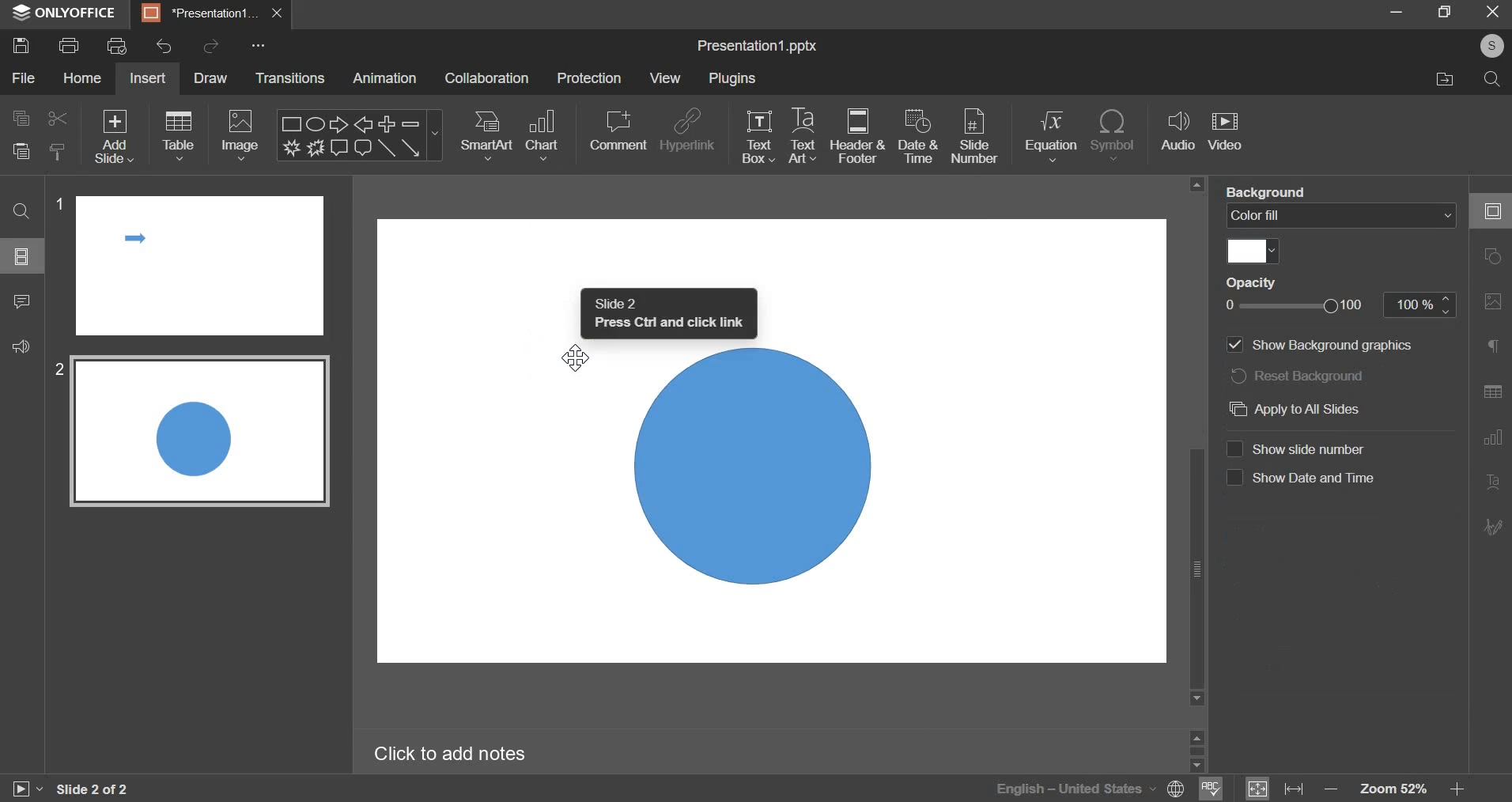 The width and height of the screenshot is (1512, 802). I want to click on redo, so click(214, 45).